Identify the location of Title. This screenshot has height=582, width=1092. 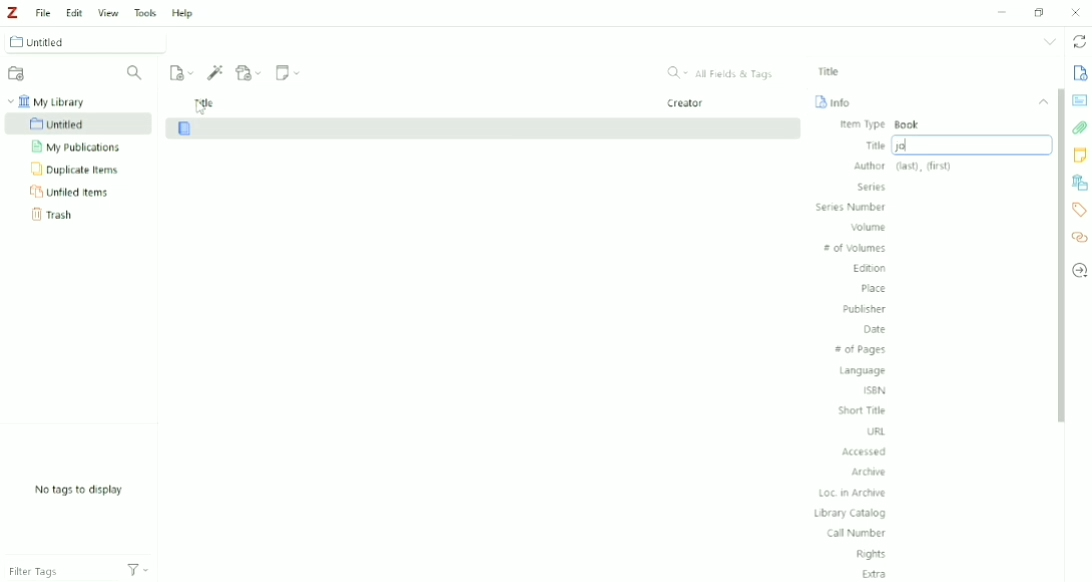
(832, 71).